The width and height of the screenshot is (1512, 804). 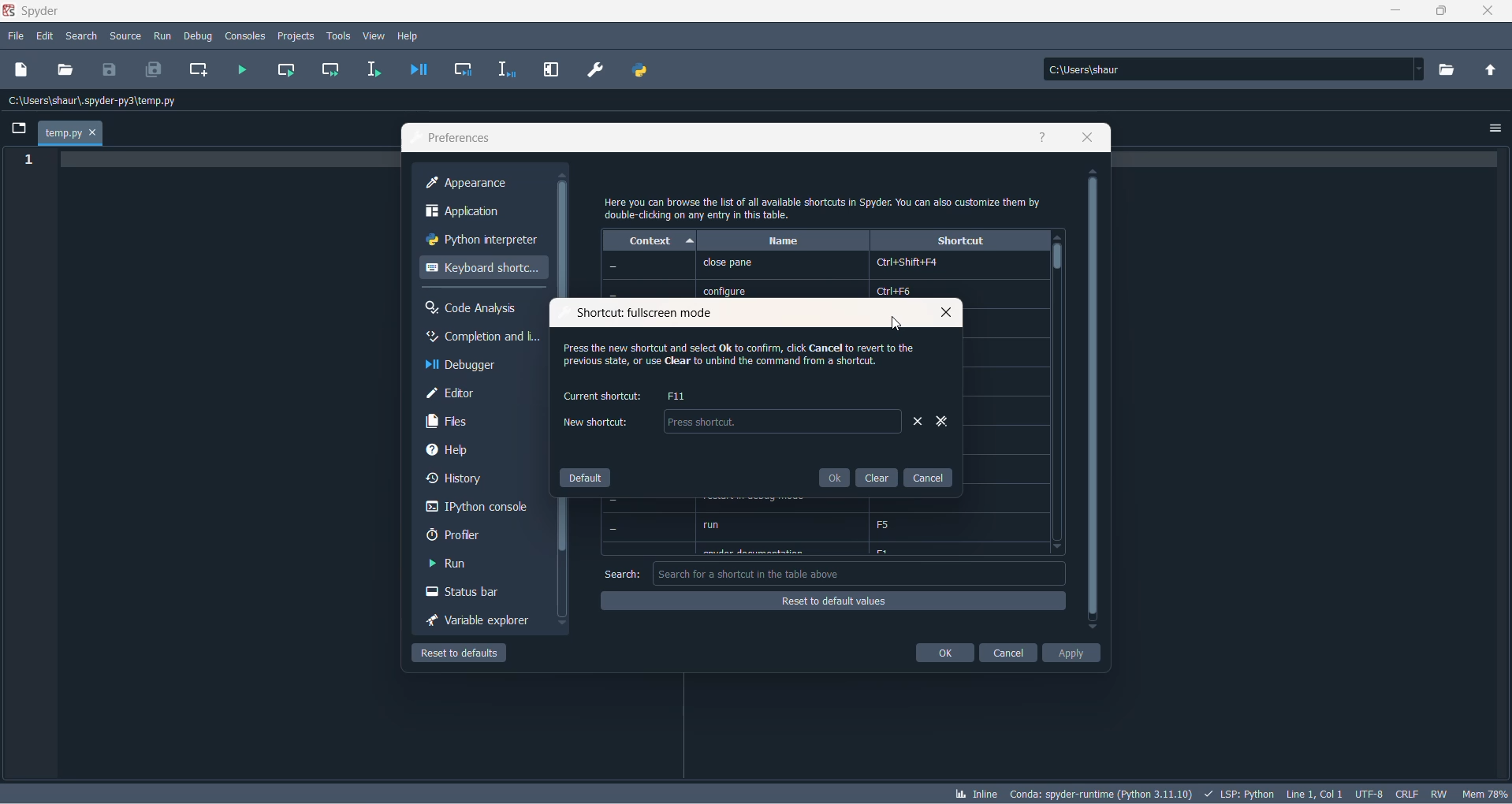 What do you see at coordinates (34, 12) in the screenshot?
I see `spyder application name` at bounding box center [34, 12].